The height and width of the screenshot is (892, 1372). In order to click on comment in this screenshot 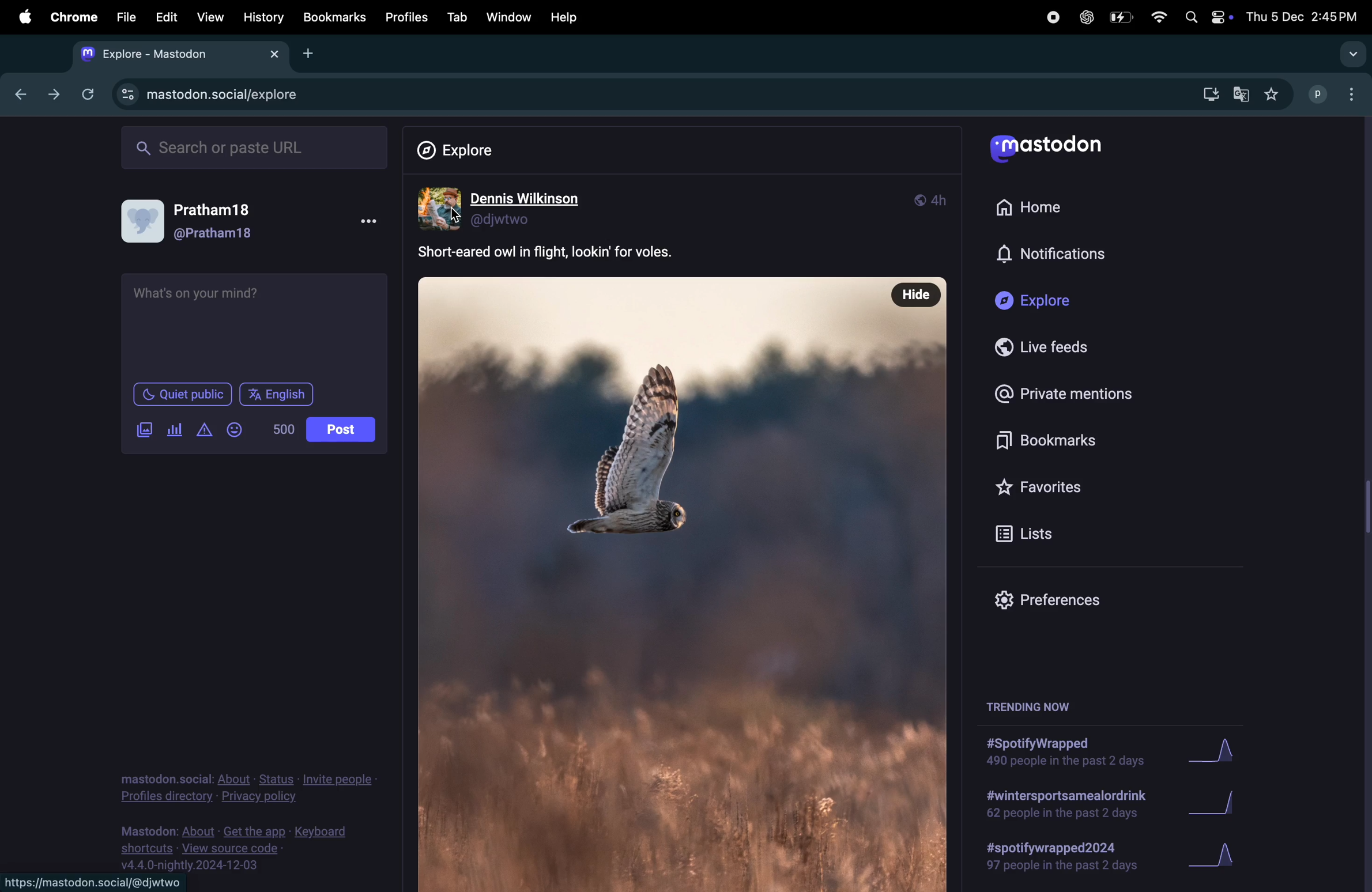, I will do `click(554, 252)`.